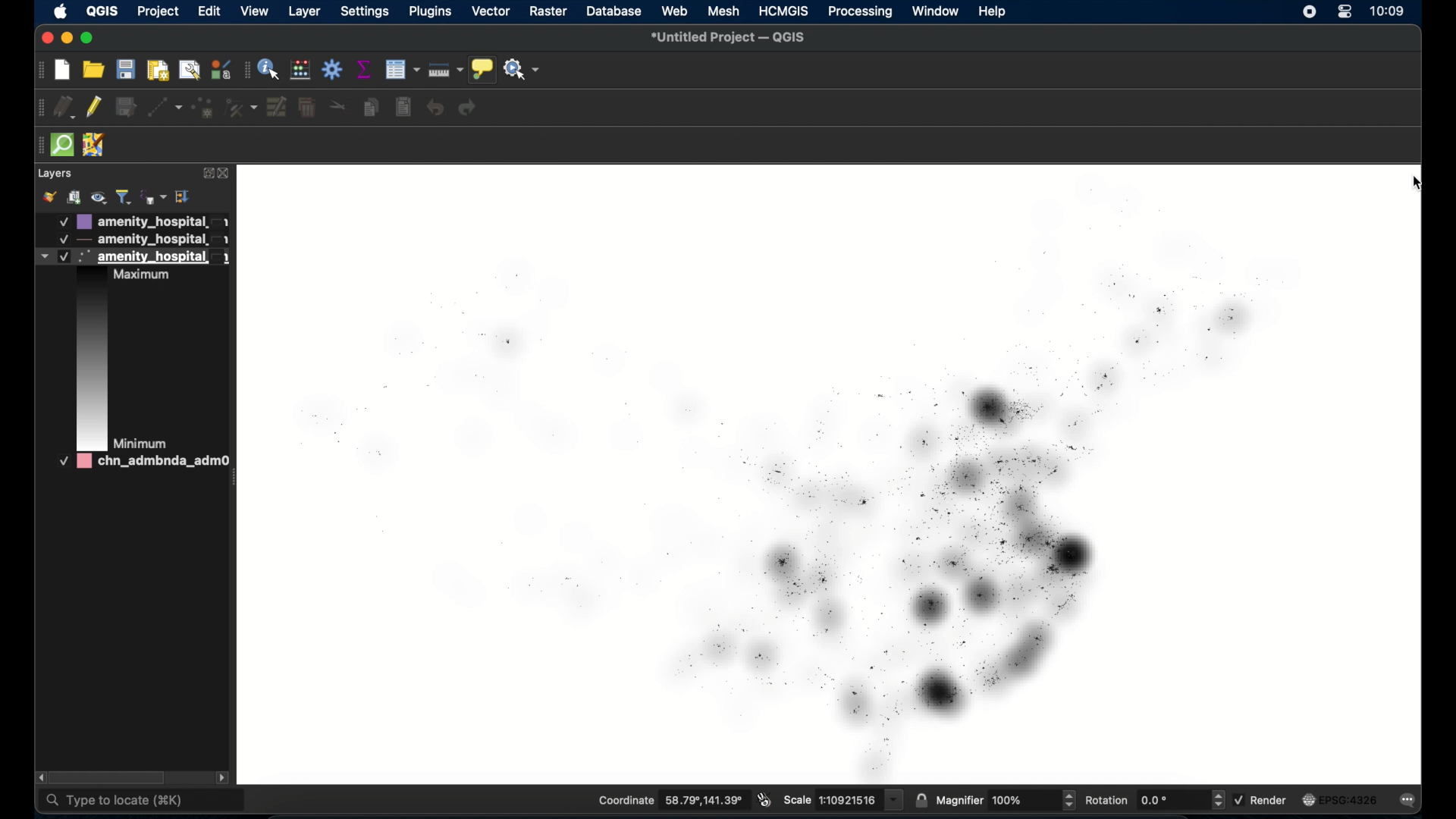  I want to click on messages, so click(1408, 800).